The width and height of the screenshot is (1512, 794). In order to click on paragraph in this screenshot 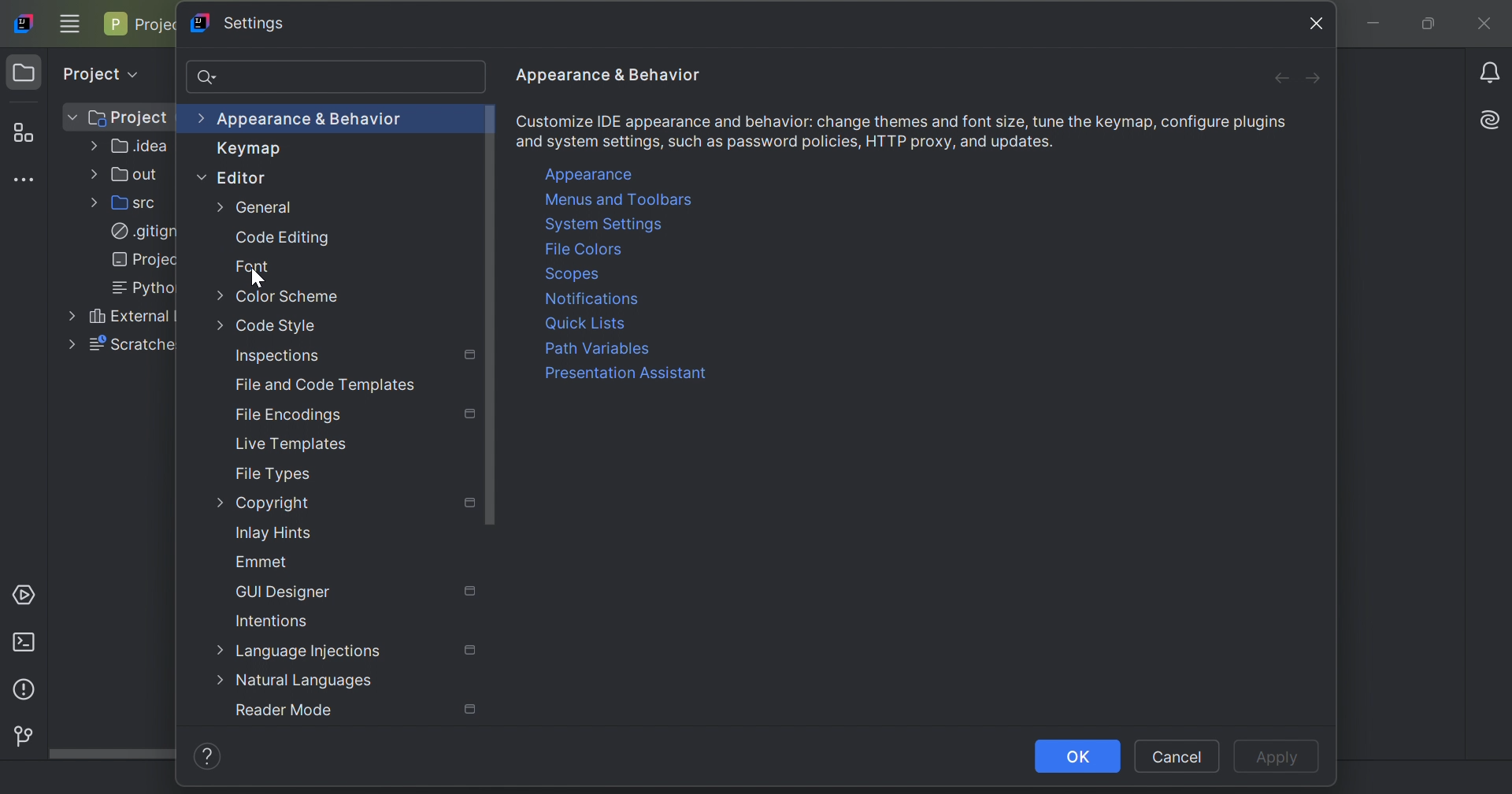, I will do `click(910, 130)`.